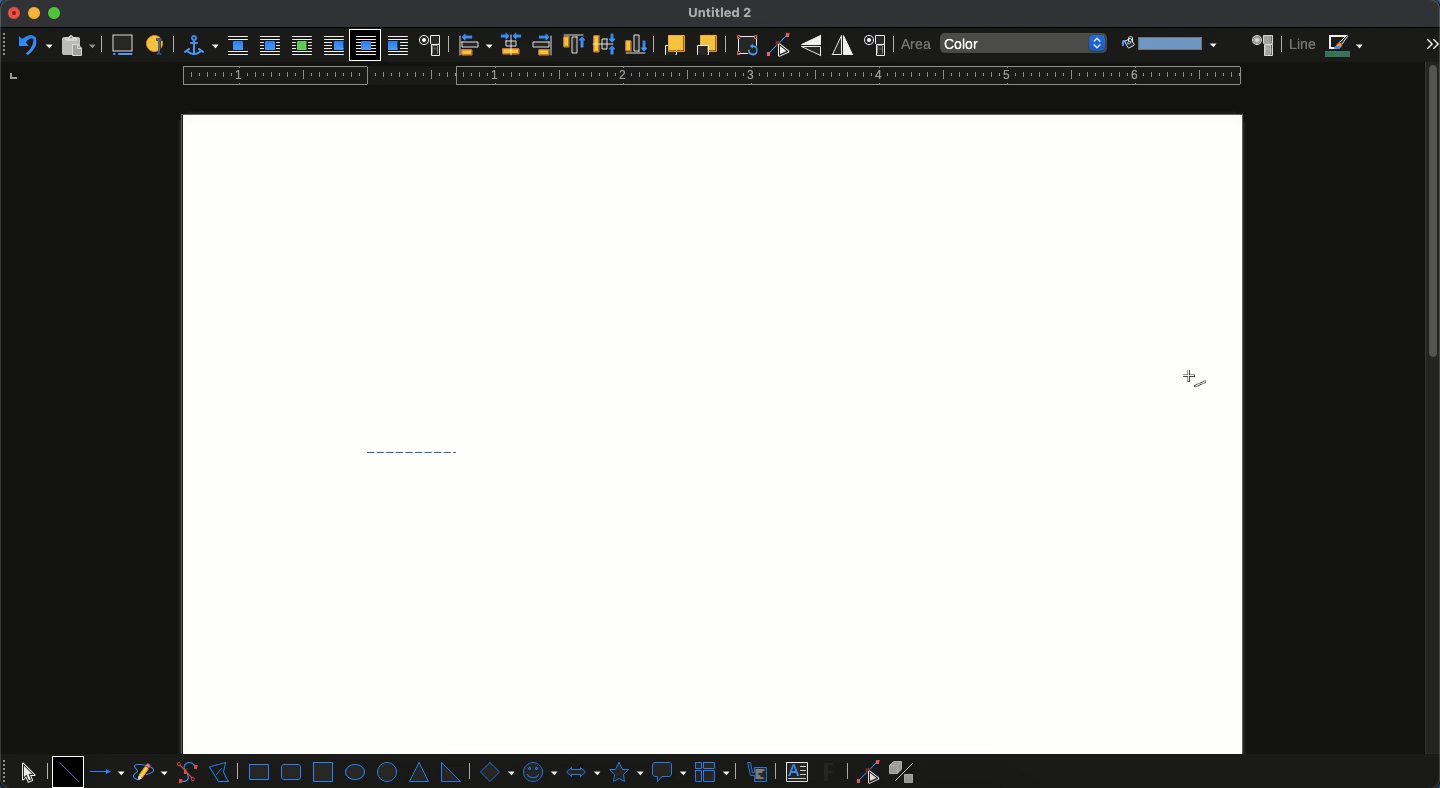  I want to click on right, so click(542, 45).